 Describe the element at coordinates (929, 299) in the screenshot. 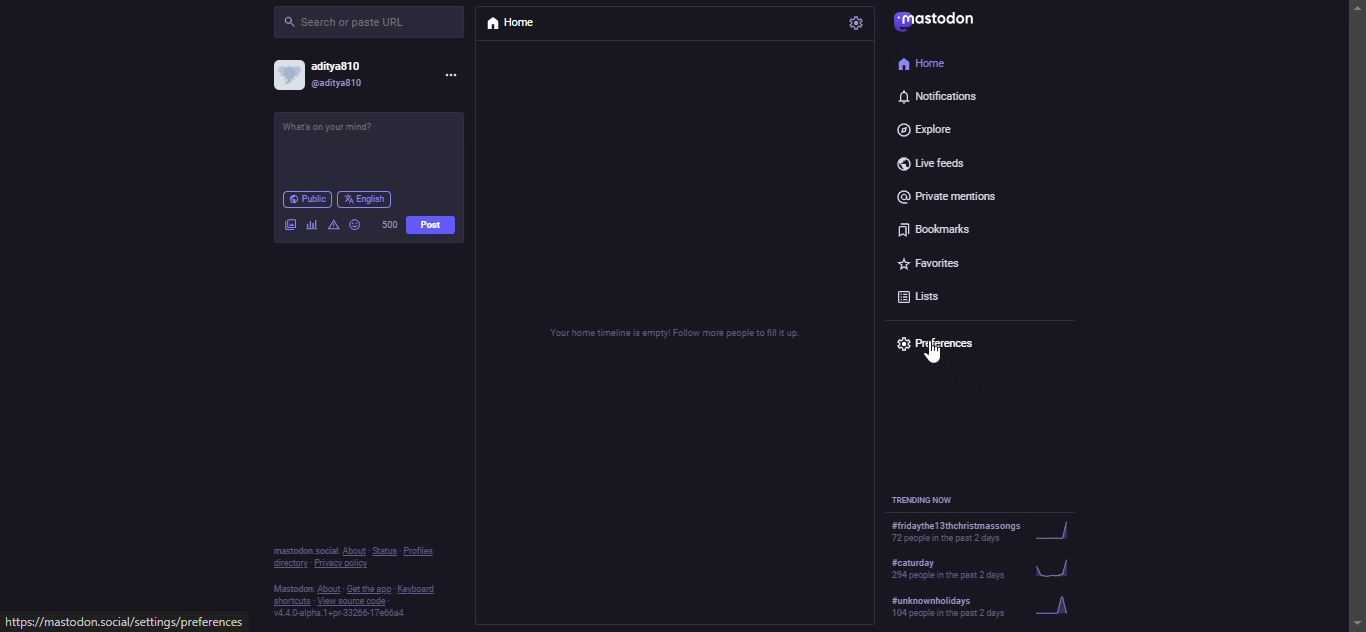

I see `lists` at that location.